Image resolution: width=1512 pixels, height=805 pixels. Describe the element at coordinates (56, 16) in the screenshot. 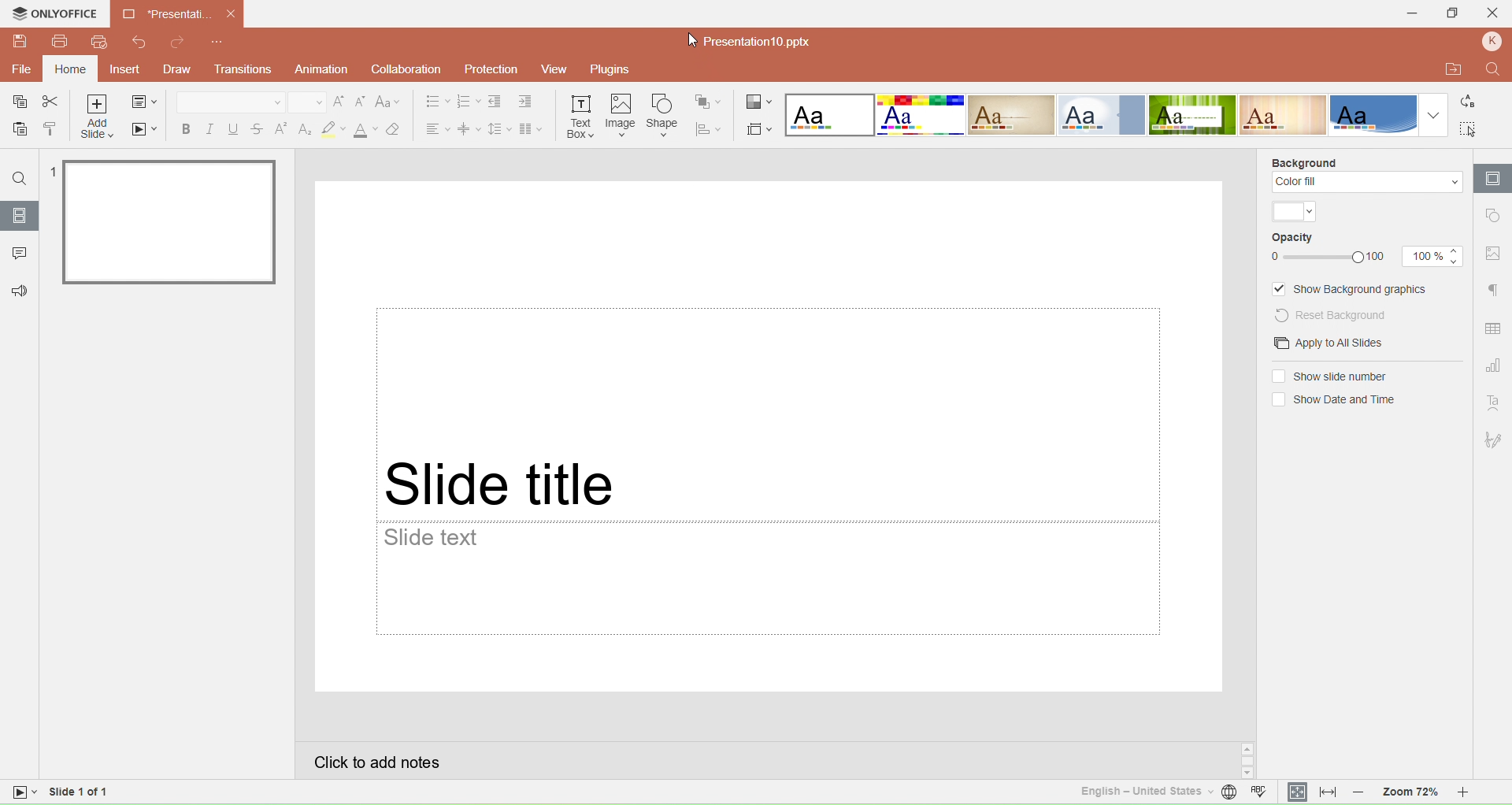

I see `Only office` at that location.